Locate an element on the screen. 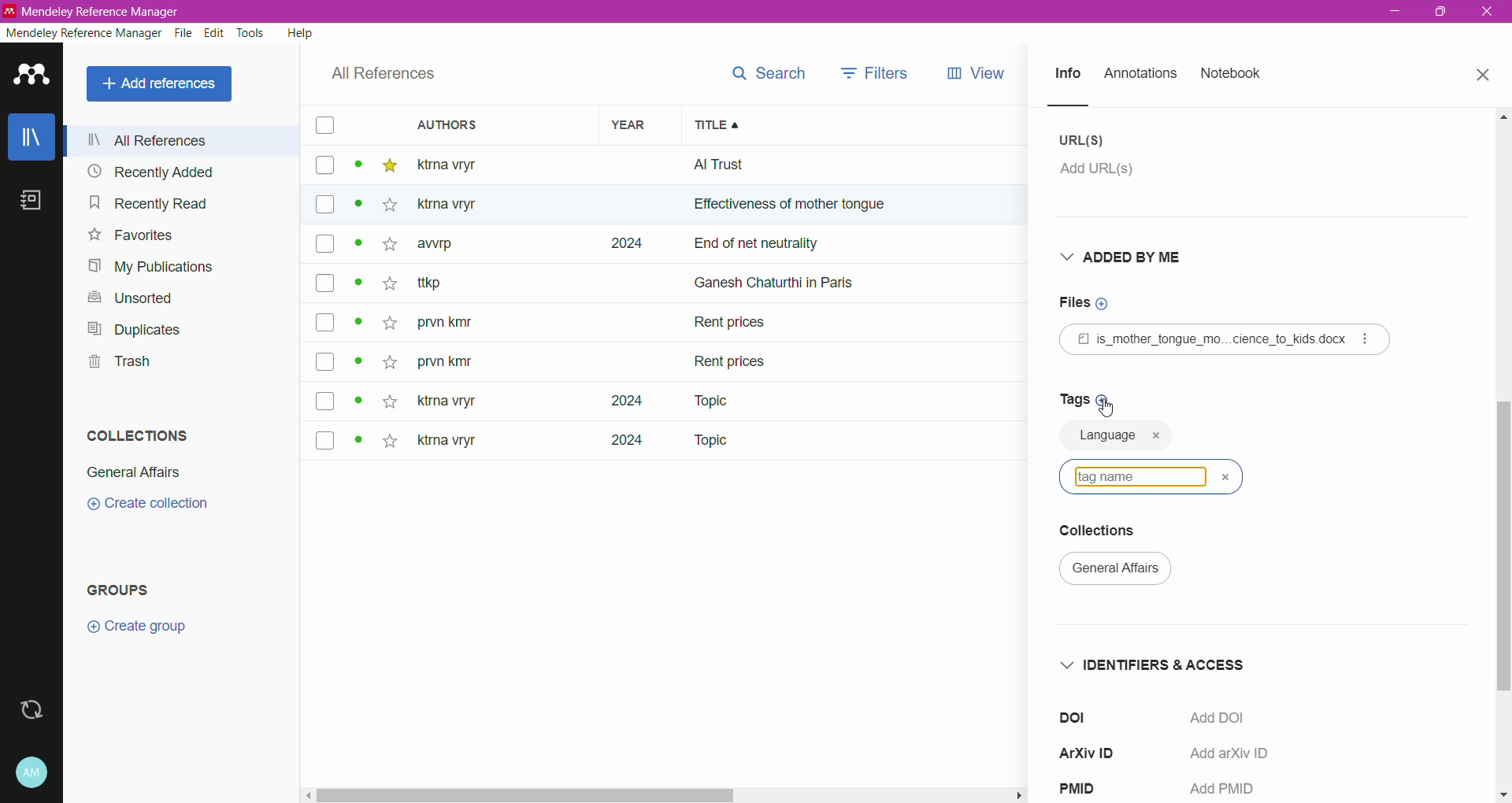  all trust is located at coordinates (803, 165).